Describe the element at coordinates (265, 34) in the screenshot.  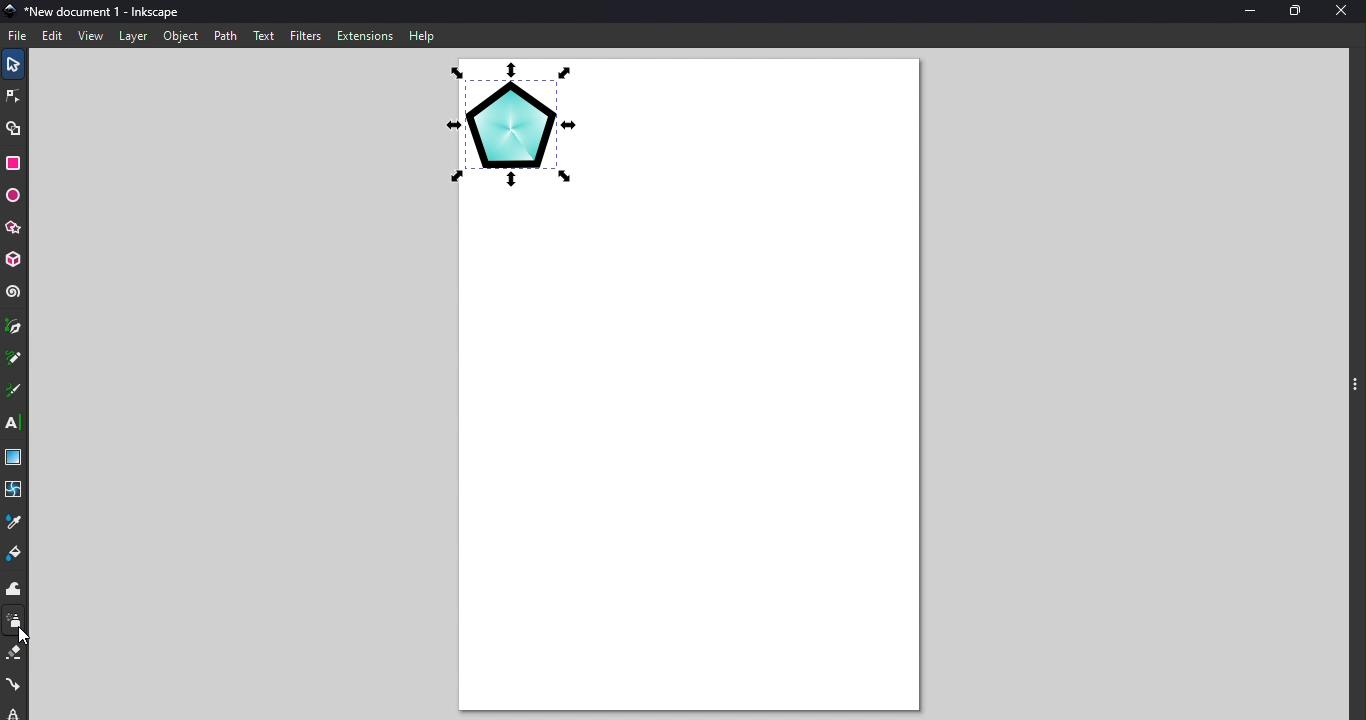
I see `Text` at that location.